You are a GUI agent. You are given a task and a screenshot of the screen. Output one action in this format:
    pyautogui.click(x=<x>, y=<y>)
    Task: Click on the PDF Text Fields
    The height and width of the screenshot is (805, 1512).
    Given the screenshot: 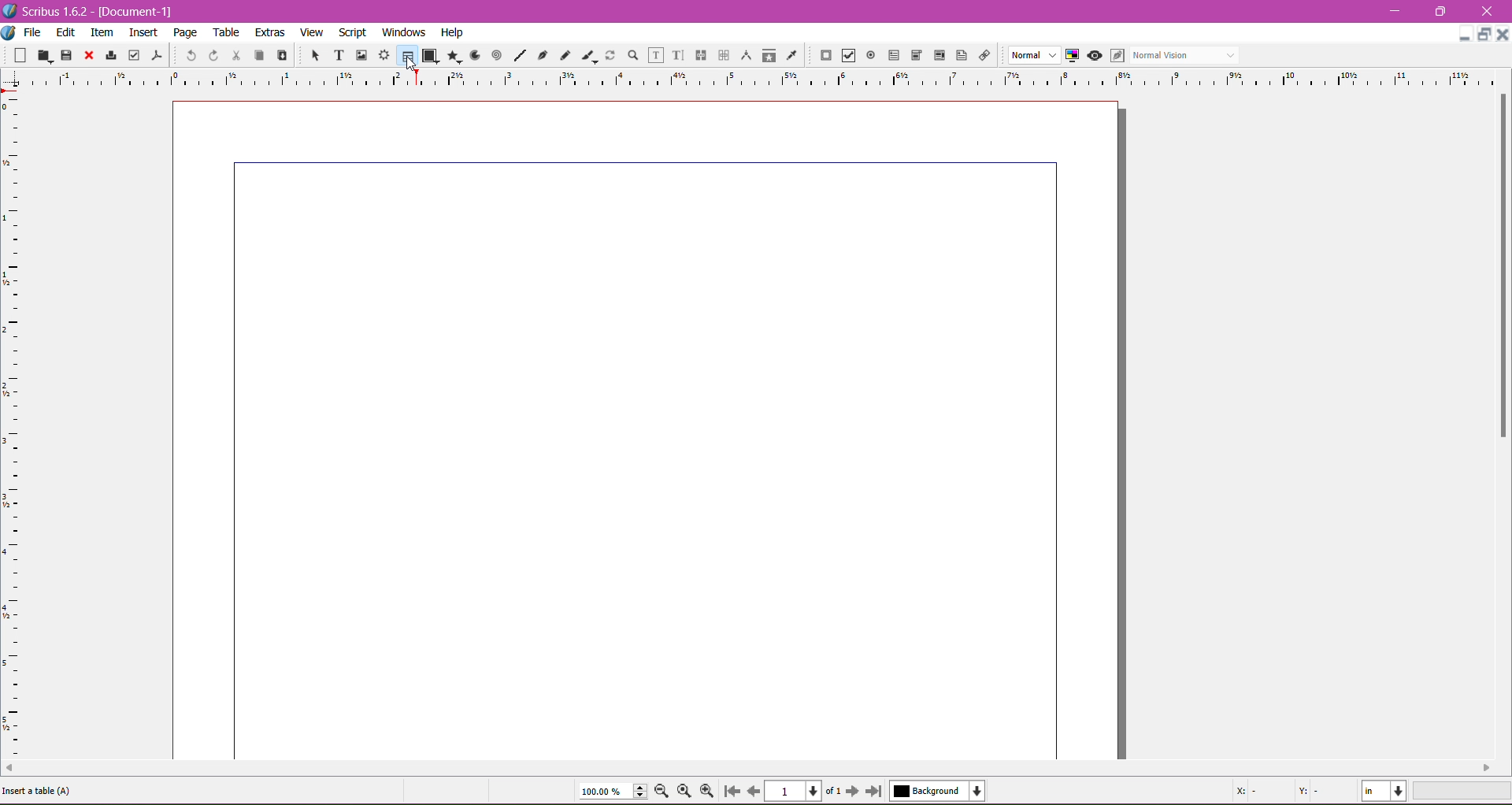 What is the action you would take?
    pyautogui.click(x=891, y=56)
    